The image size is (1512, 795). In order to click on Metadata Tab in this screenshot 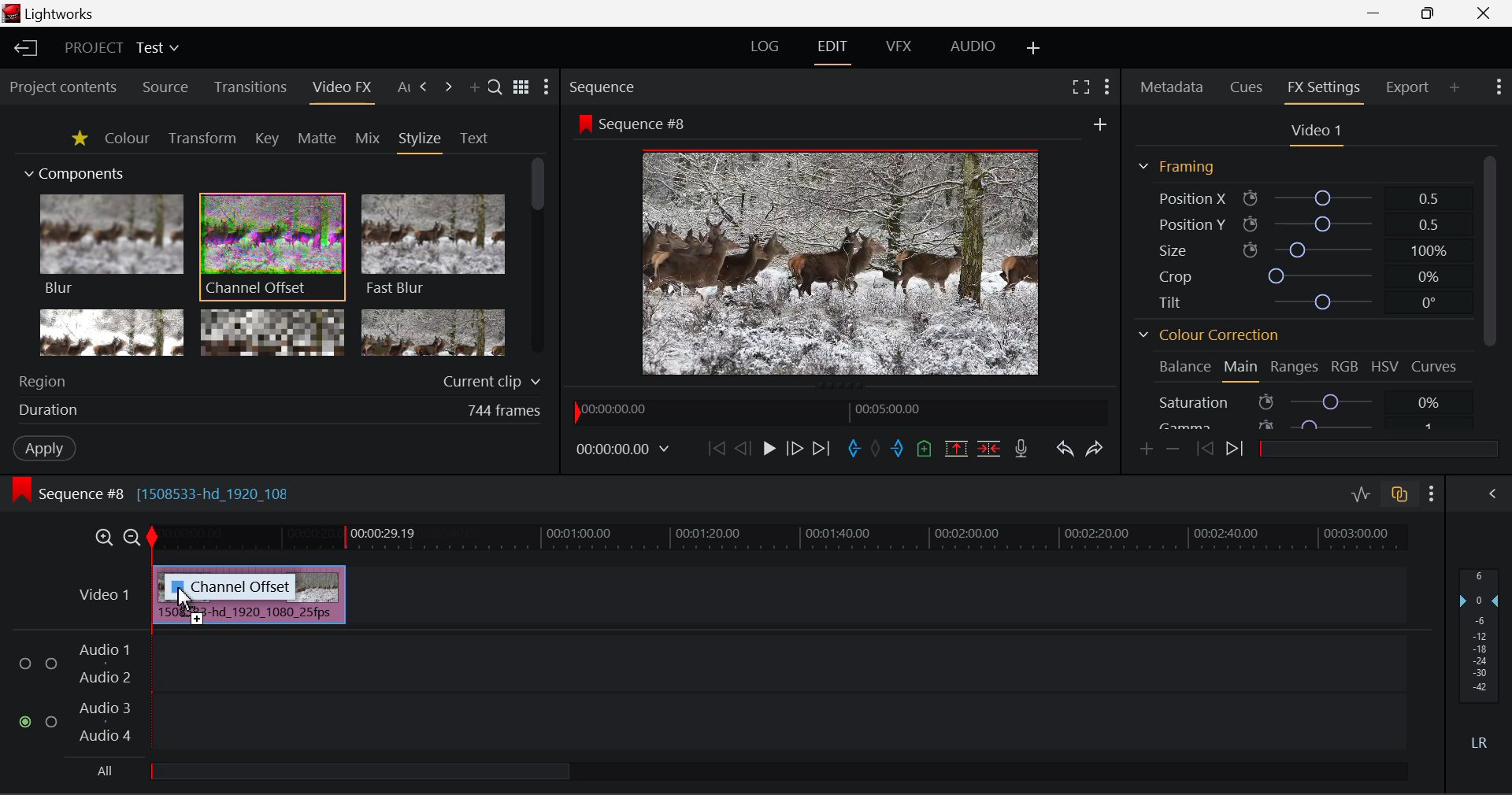, I will do `click(1170, 87)`.